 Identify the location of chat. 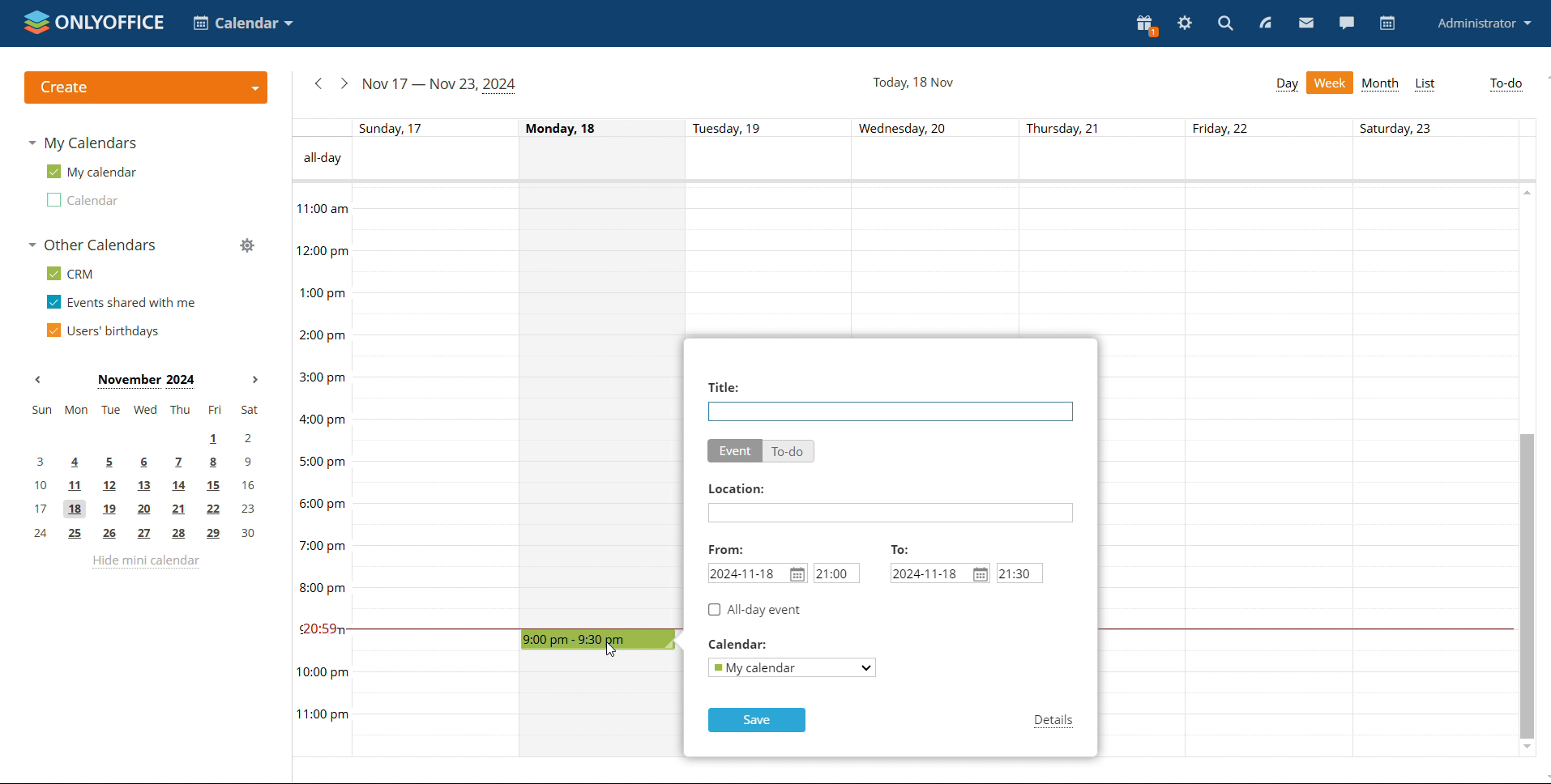
(1347, 23).